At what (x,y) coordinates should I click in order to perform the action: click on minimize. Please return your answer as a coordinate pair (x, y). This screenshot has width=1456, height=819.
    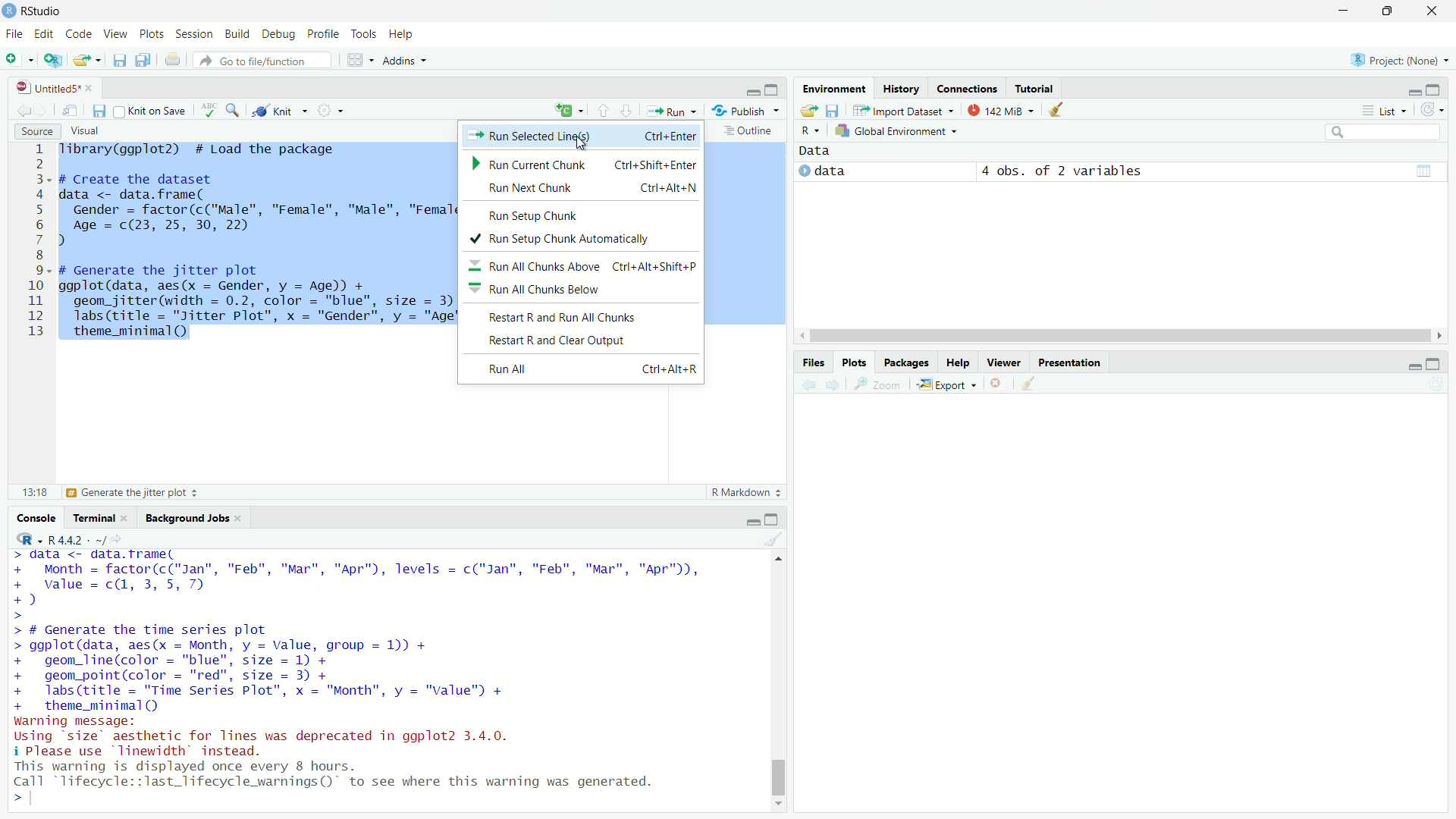
    Looking at the image, I should click on (1412, 88).